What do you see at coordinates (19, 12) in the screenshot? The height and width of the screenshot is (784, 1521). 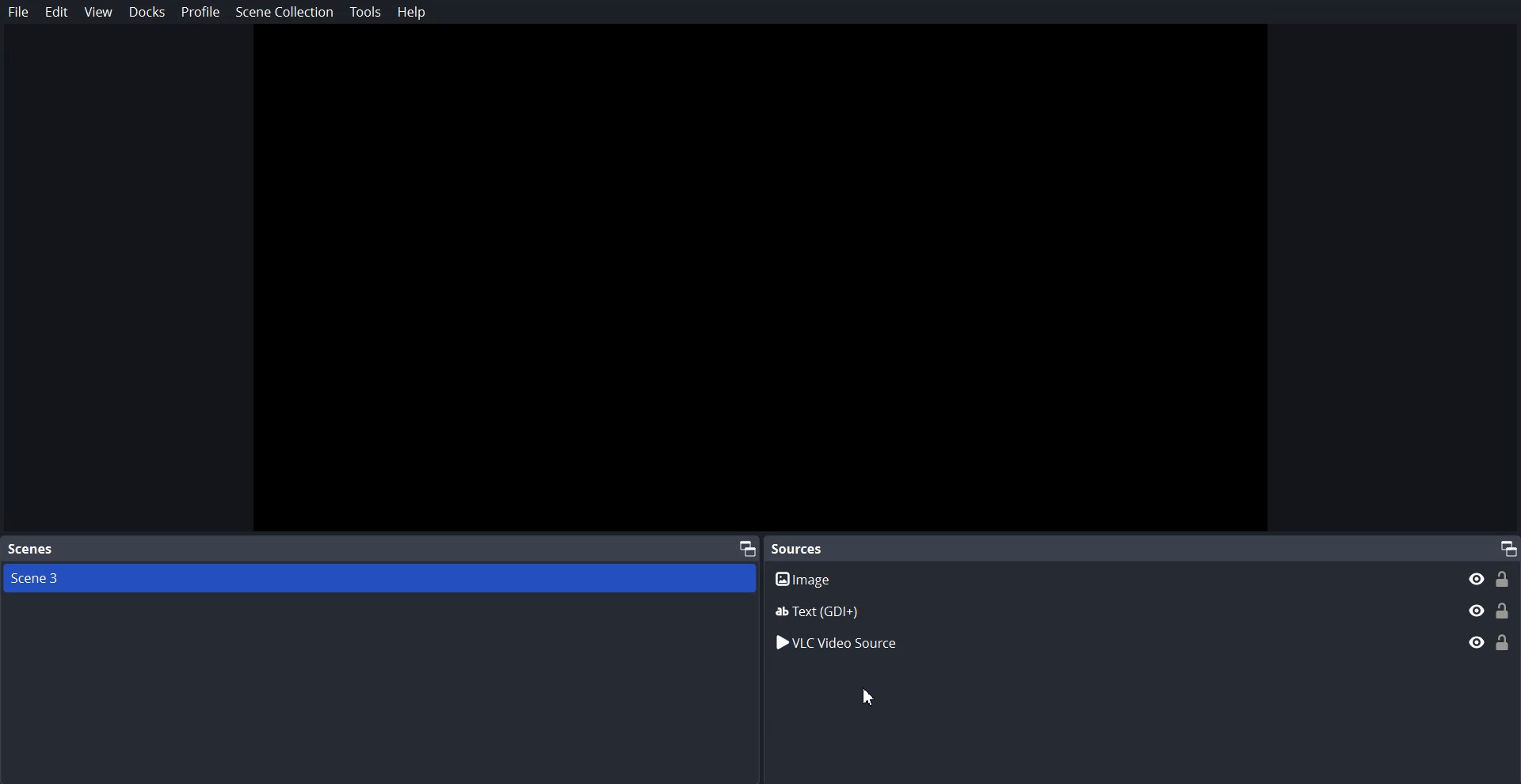 I see `File` at bounding box center [19, 12].